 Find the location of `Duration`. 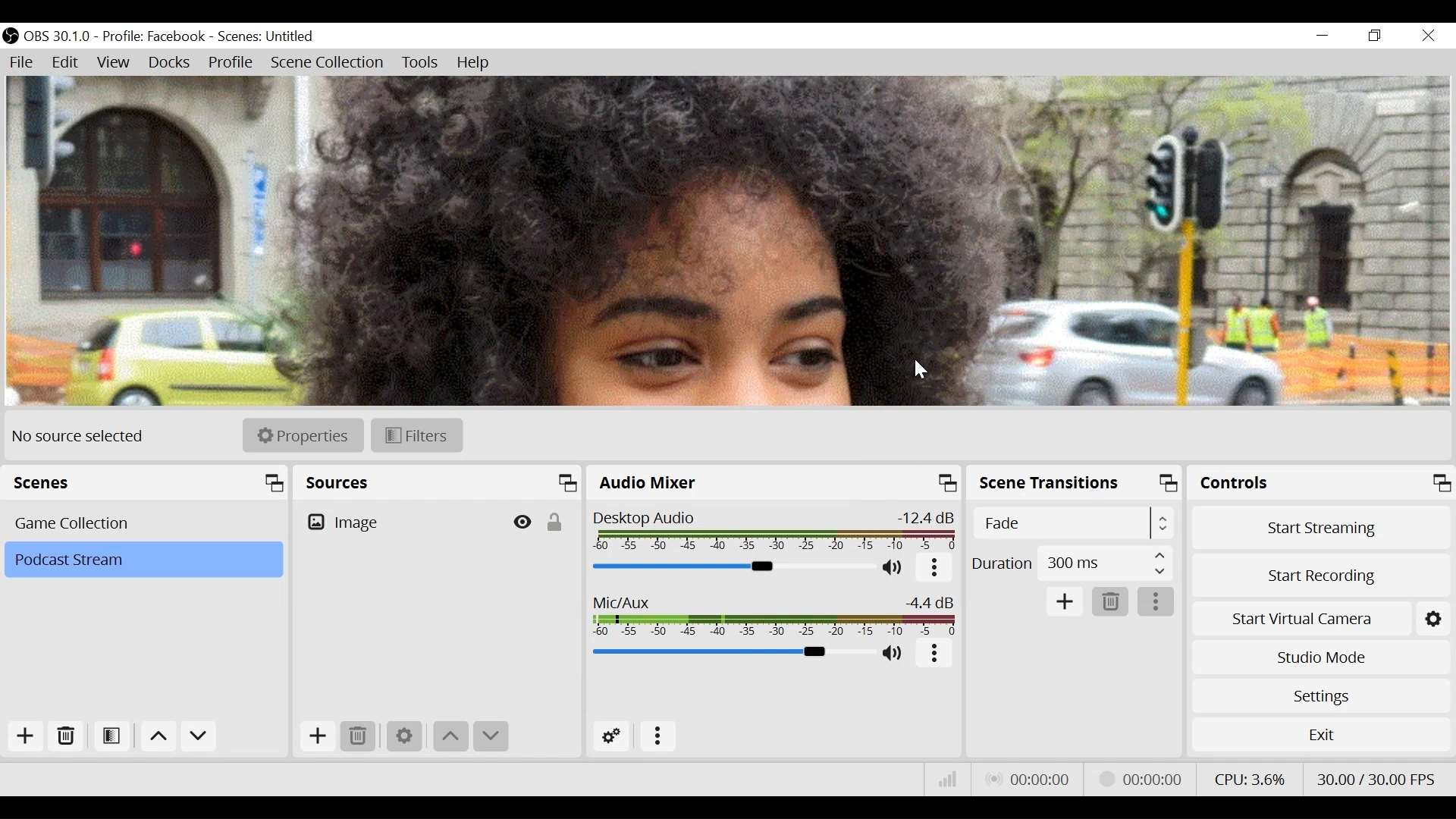

Duration is located at coordinates (1072, 563).